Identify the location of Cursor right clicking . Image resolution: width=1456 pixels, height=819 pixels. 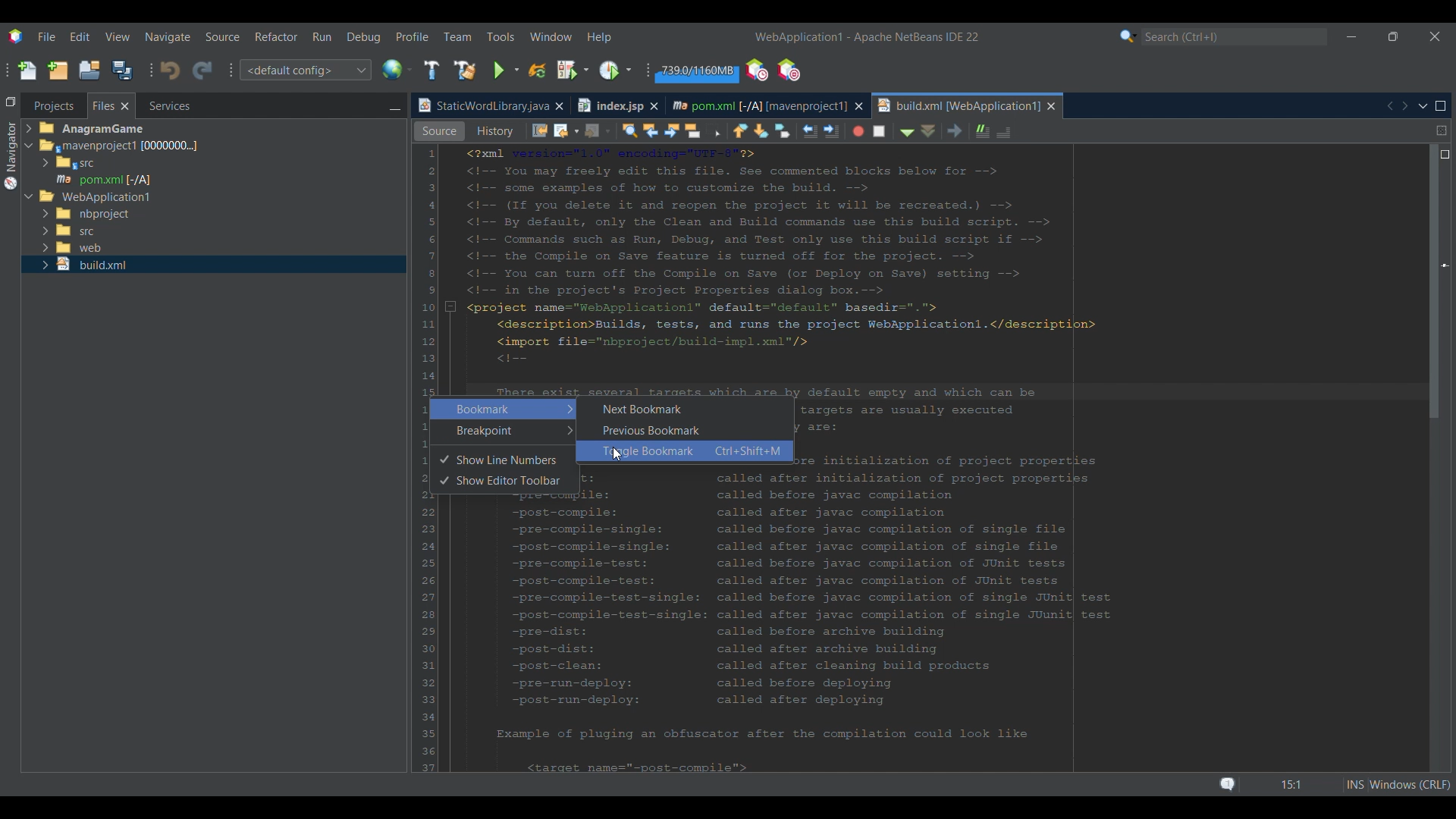
(436, 231).